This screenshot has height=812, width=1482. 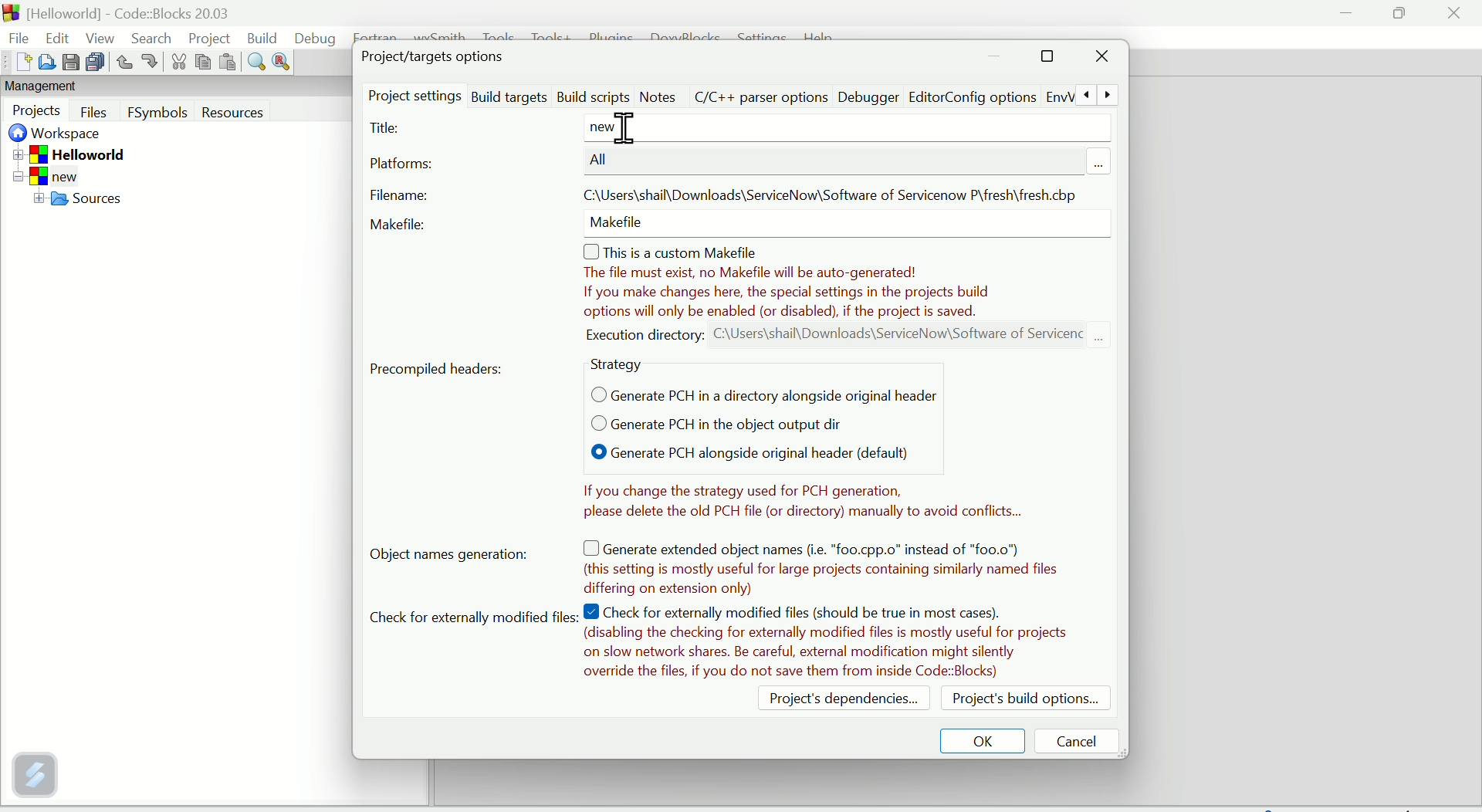 I want to click on , so click(x=149, y=61).